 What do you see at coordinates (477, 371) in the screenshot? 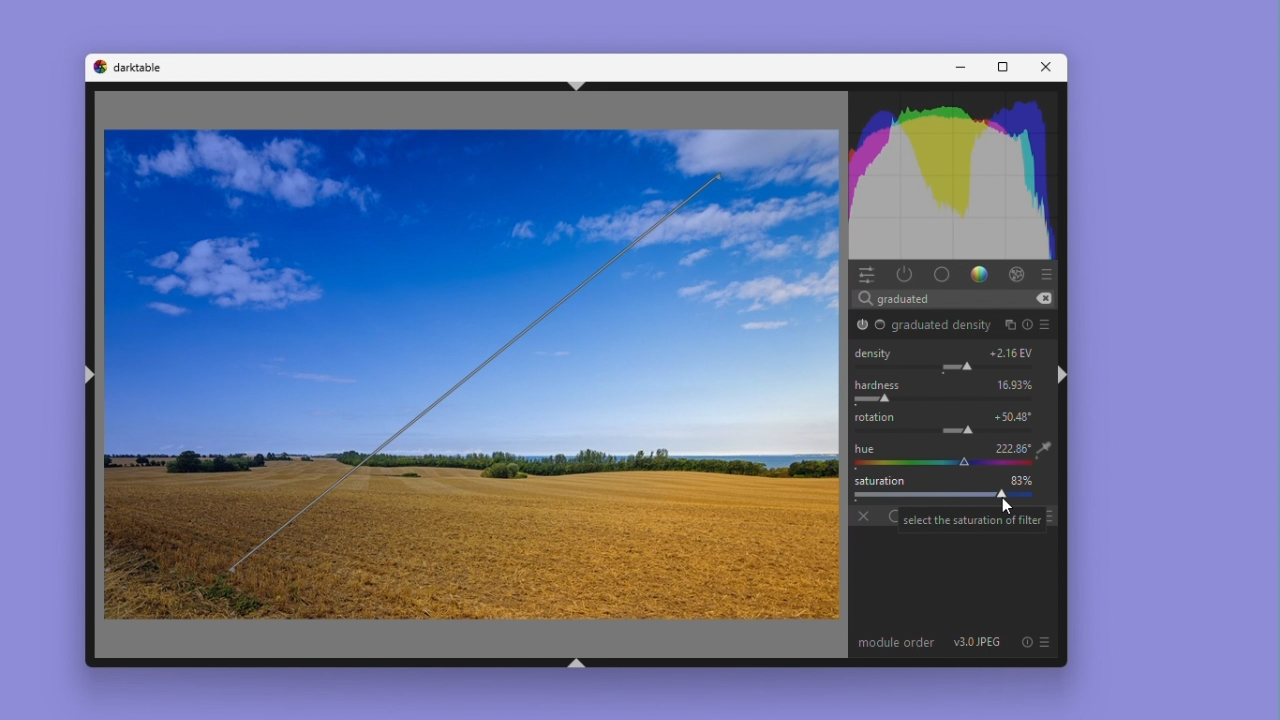
I see `rotation bar` at bounding box center [477, 371].